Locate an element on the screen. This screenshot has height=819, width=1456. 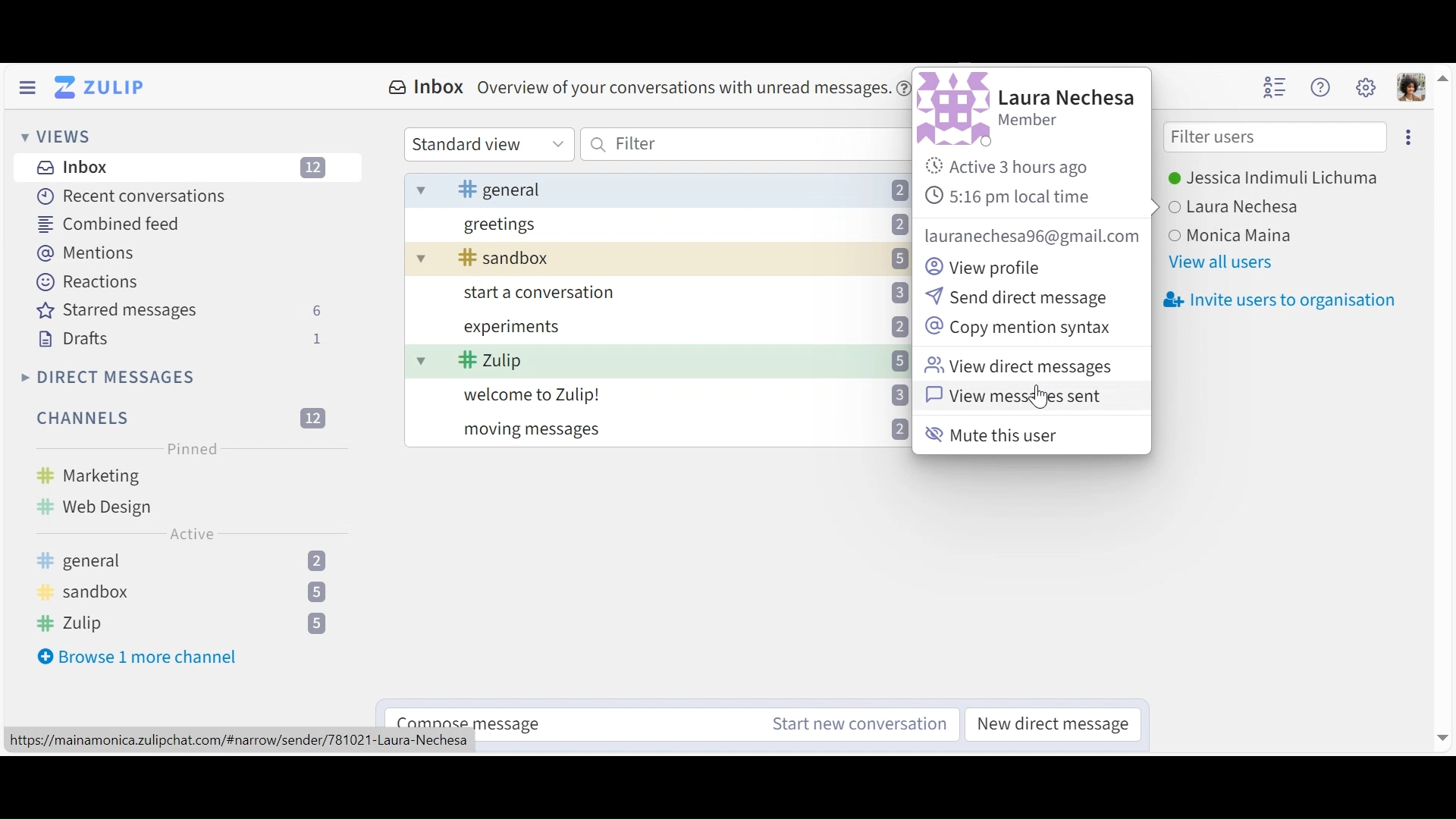
Inbox is located at coordinates (190, 168).